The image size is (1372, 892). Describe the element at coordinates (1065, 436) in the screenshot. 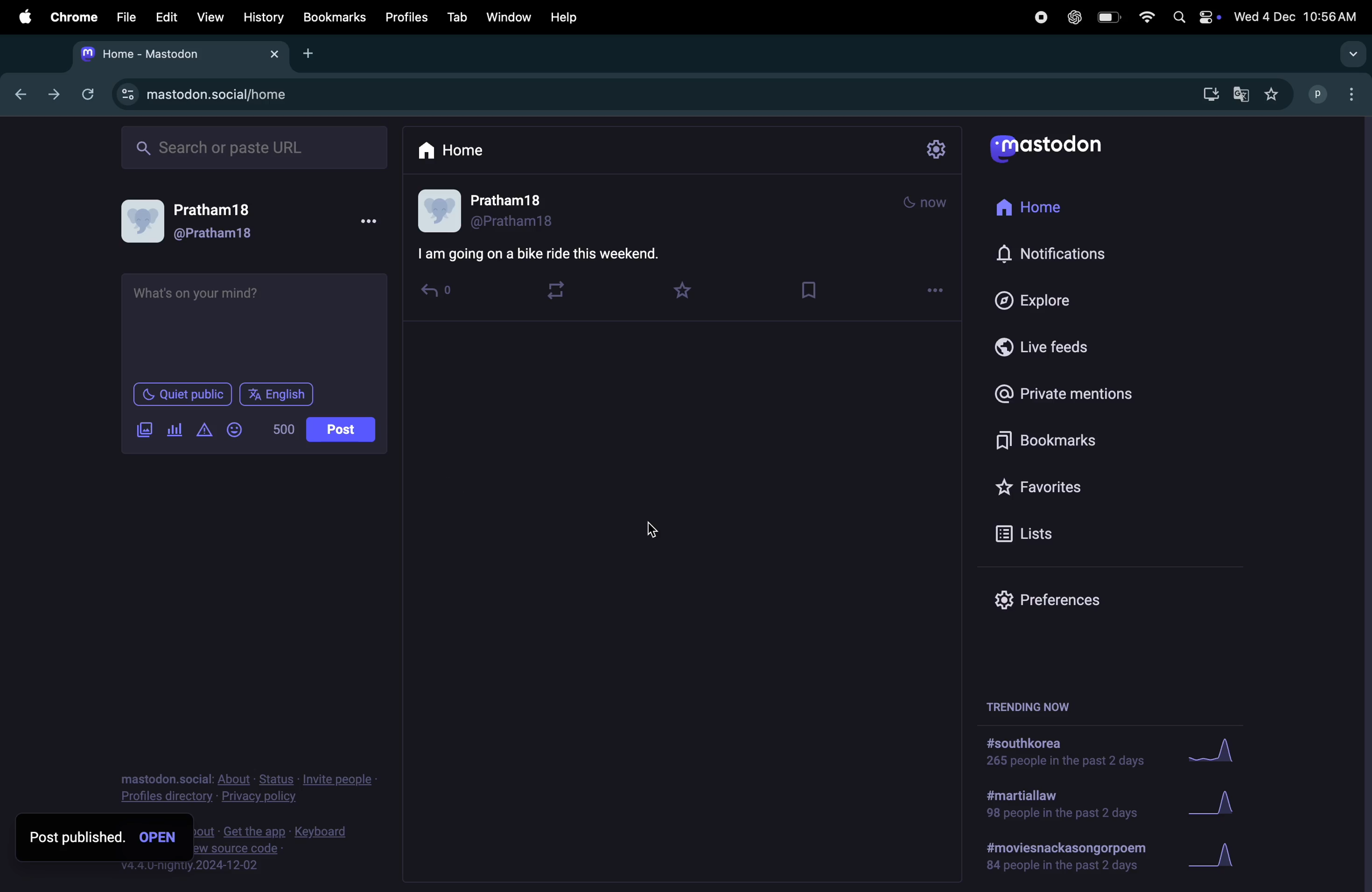

I see `book marks` at that location.